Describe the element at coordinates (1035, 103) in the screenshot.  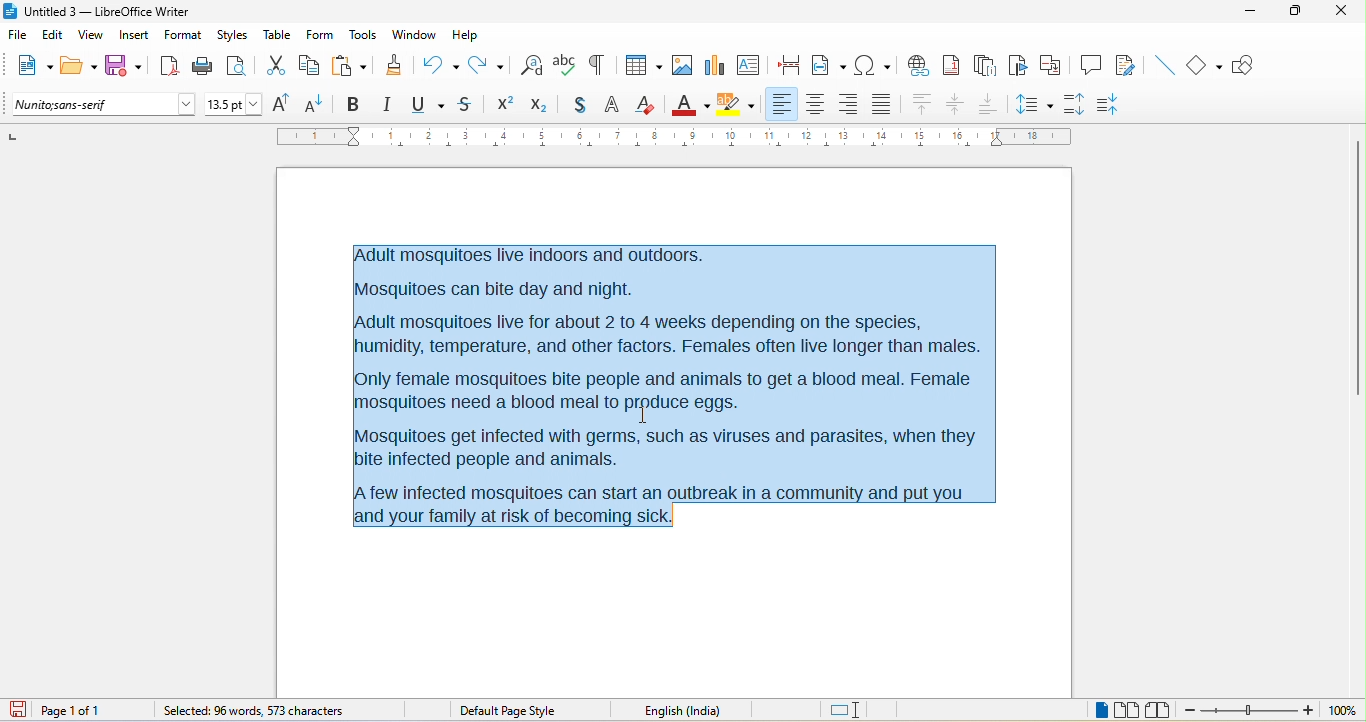
I see `set line spacing` at that location.